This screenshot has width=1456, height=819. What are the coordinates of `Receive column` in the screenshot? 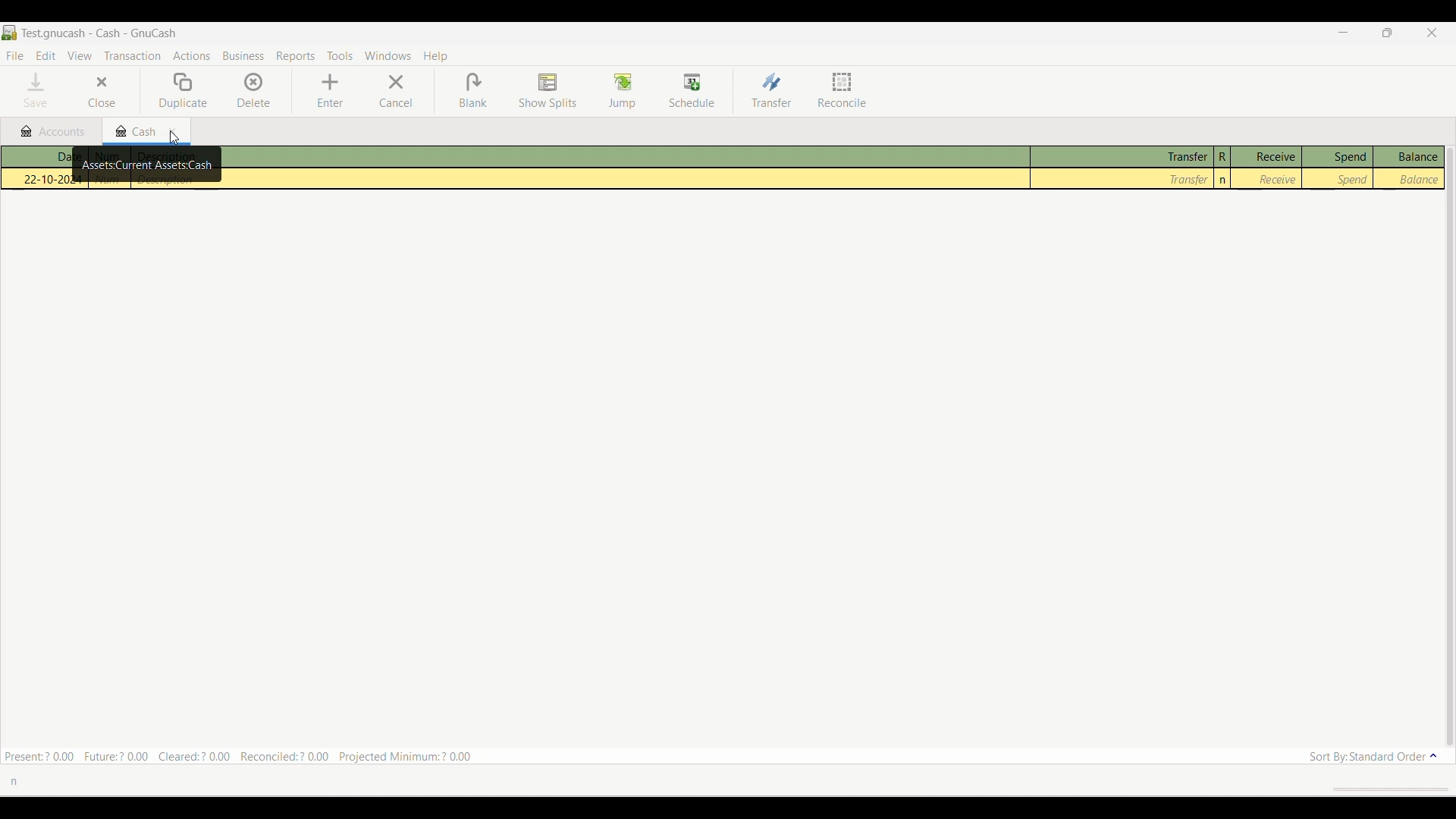 It's located at (1266, 157).